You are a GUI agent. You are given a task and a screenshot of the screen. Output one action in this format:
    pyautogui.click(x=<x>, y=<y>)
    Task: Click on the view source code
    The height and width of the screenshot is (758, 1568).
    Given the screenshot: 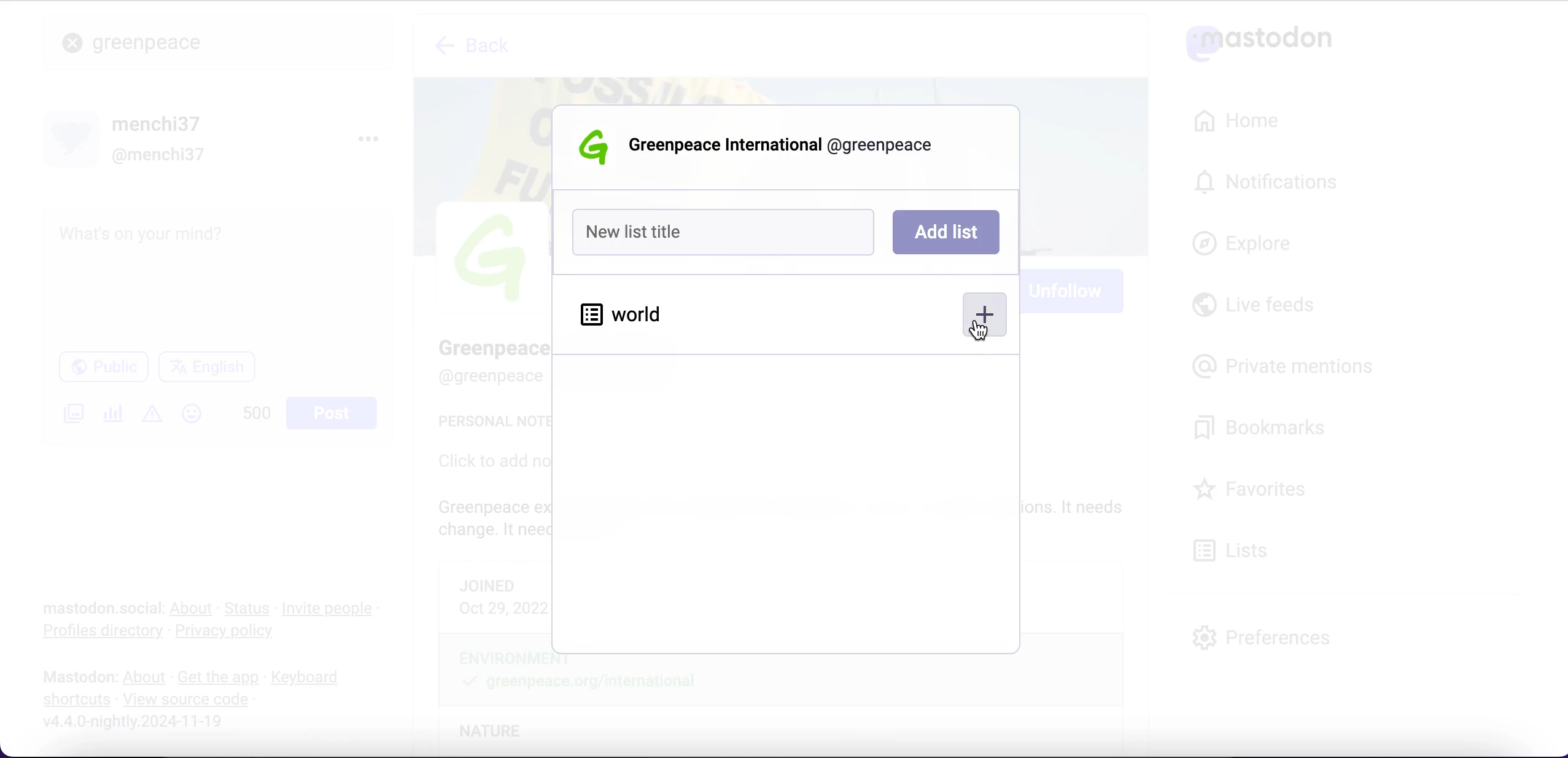 What is the action you would take?
    pyautogui.click(x=190, y=700)
    